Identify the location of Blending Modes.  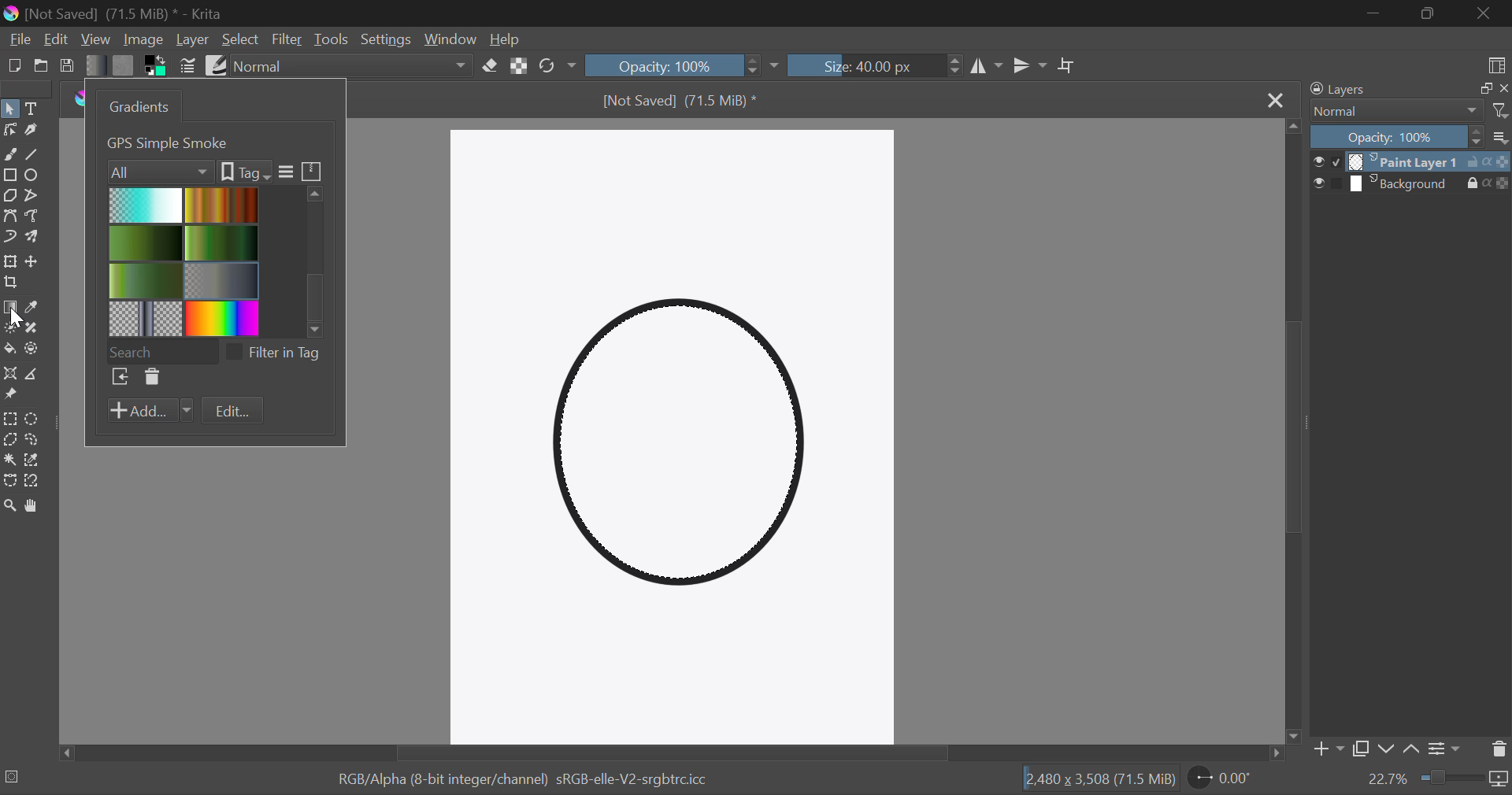
(350, 65).